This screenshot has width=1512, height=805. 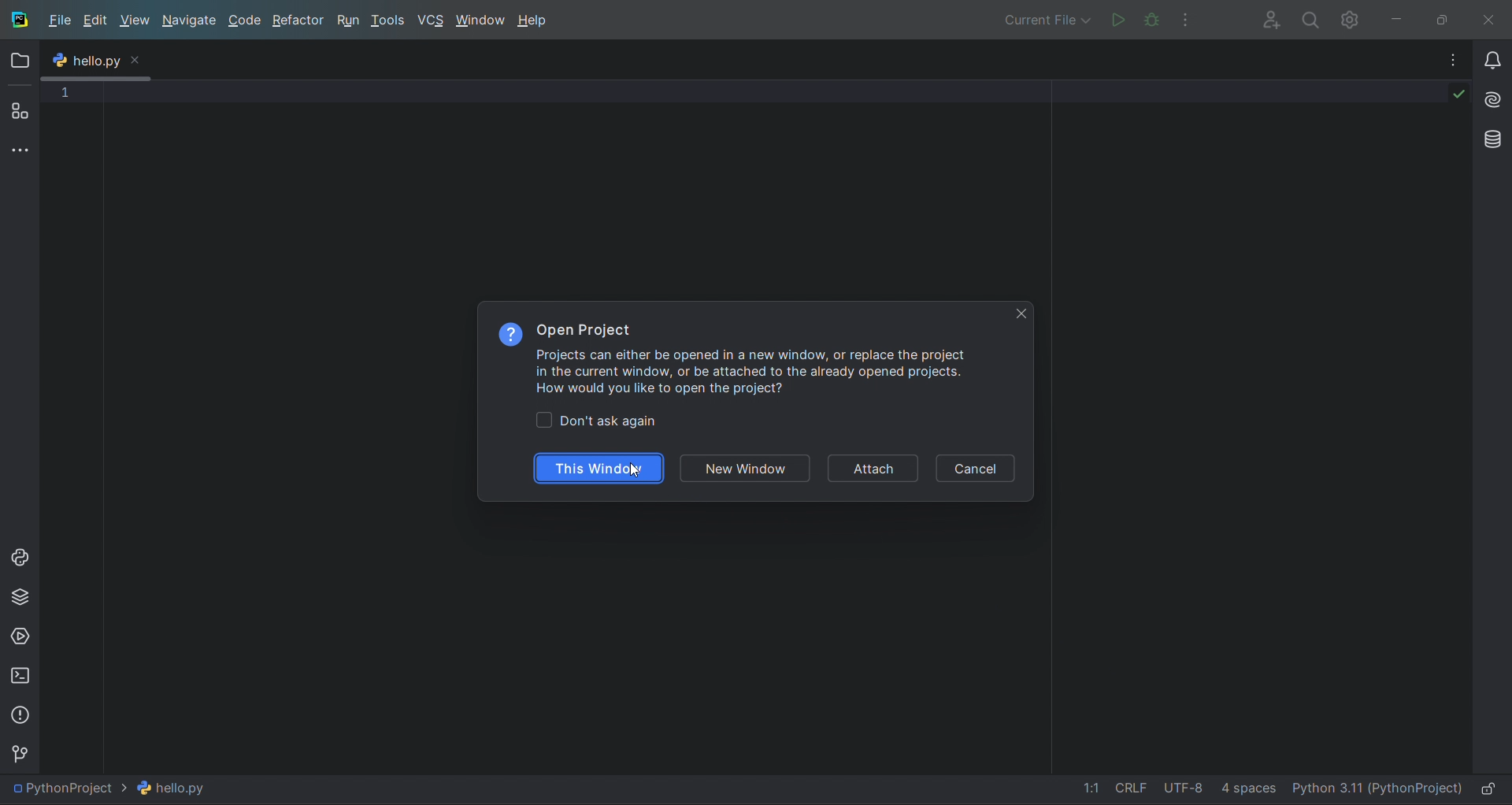 I want to click on code check, so click(x=1447, y=98).